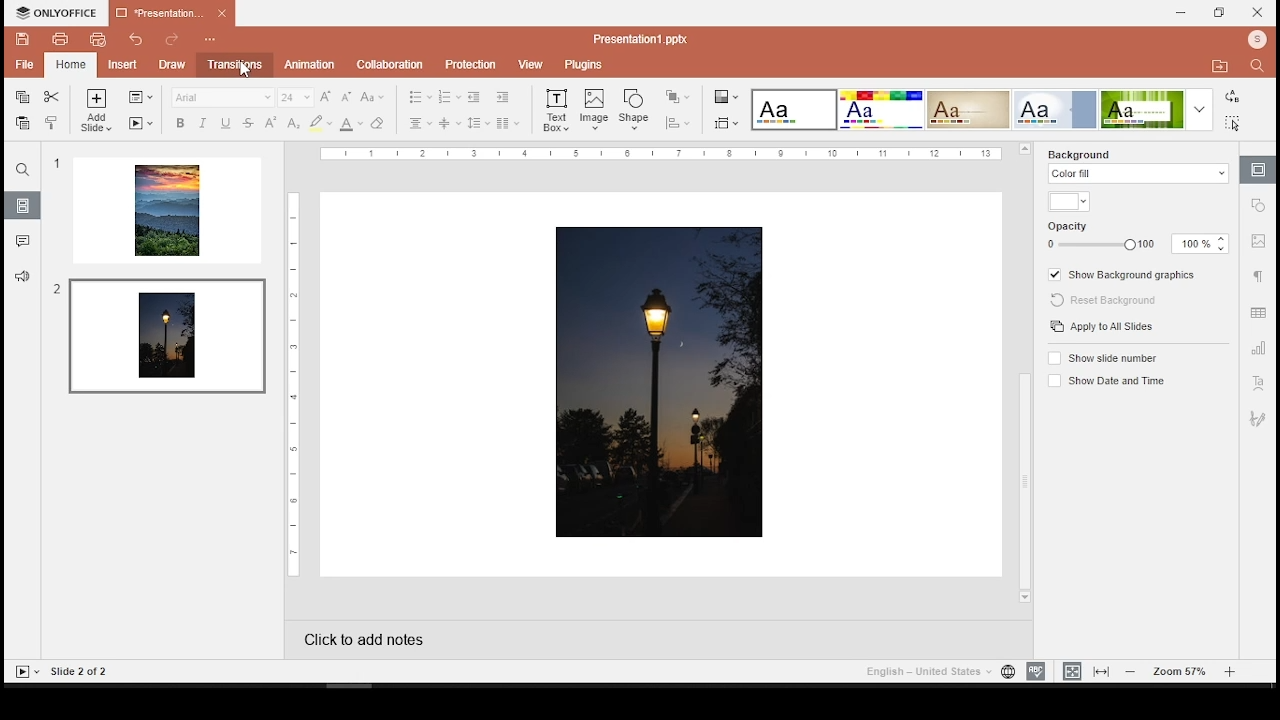 Image resolution: width=1280 pixels, height=720 pixels. I want to click on opacity, so click(1137, 243).